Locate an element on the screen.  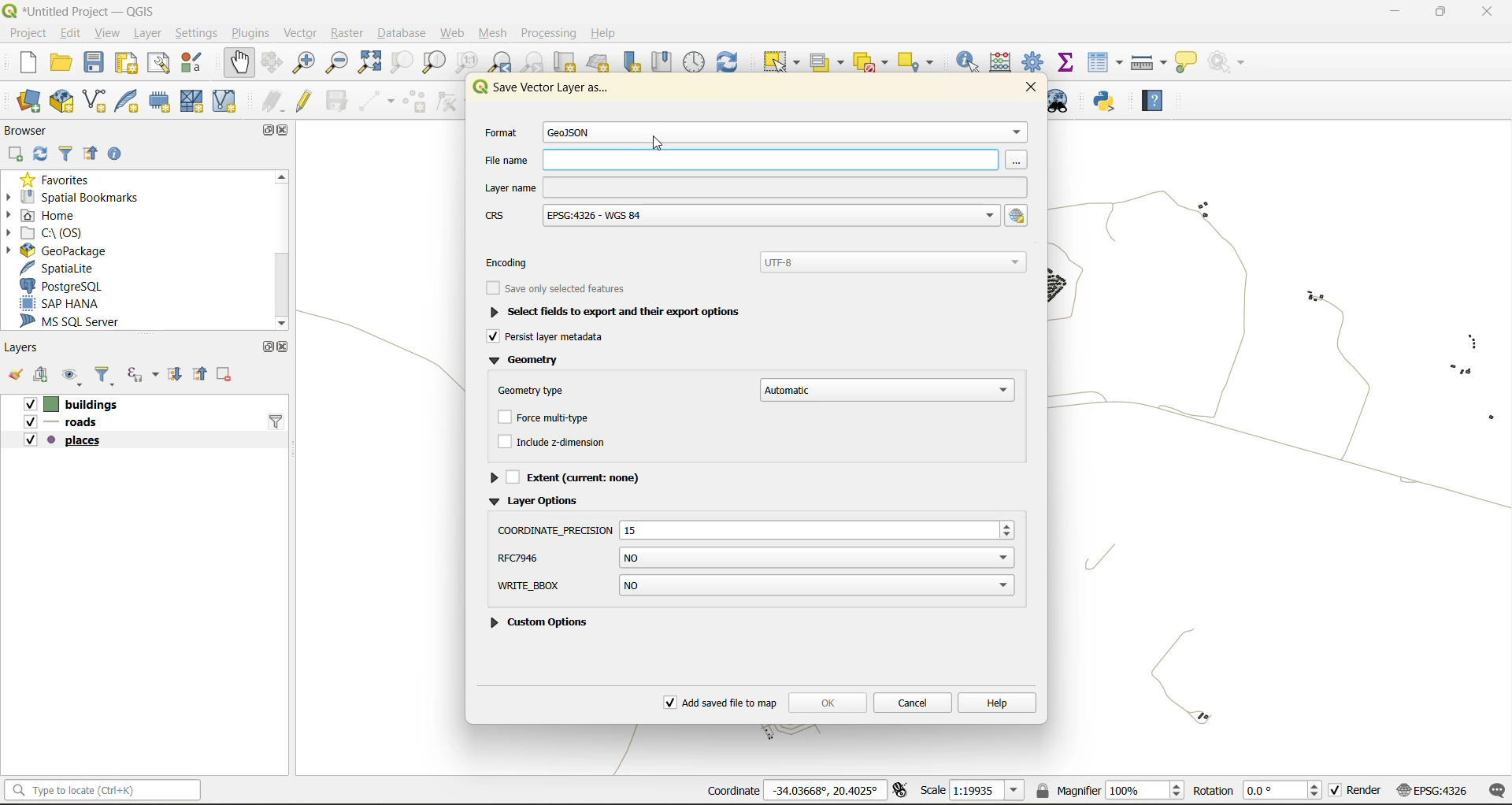
new is located at coordinates (29, 63).